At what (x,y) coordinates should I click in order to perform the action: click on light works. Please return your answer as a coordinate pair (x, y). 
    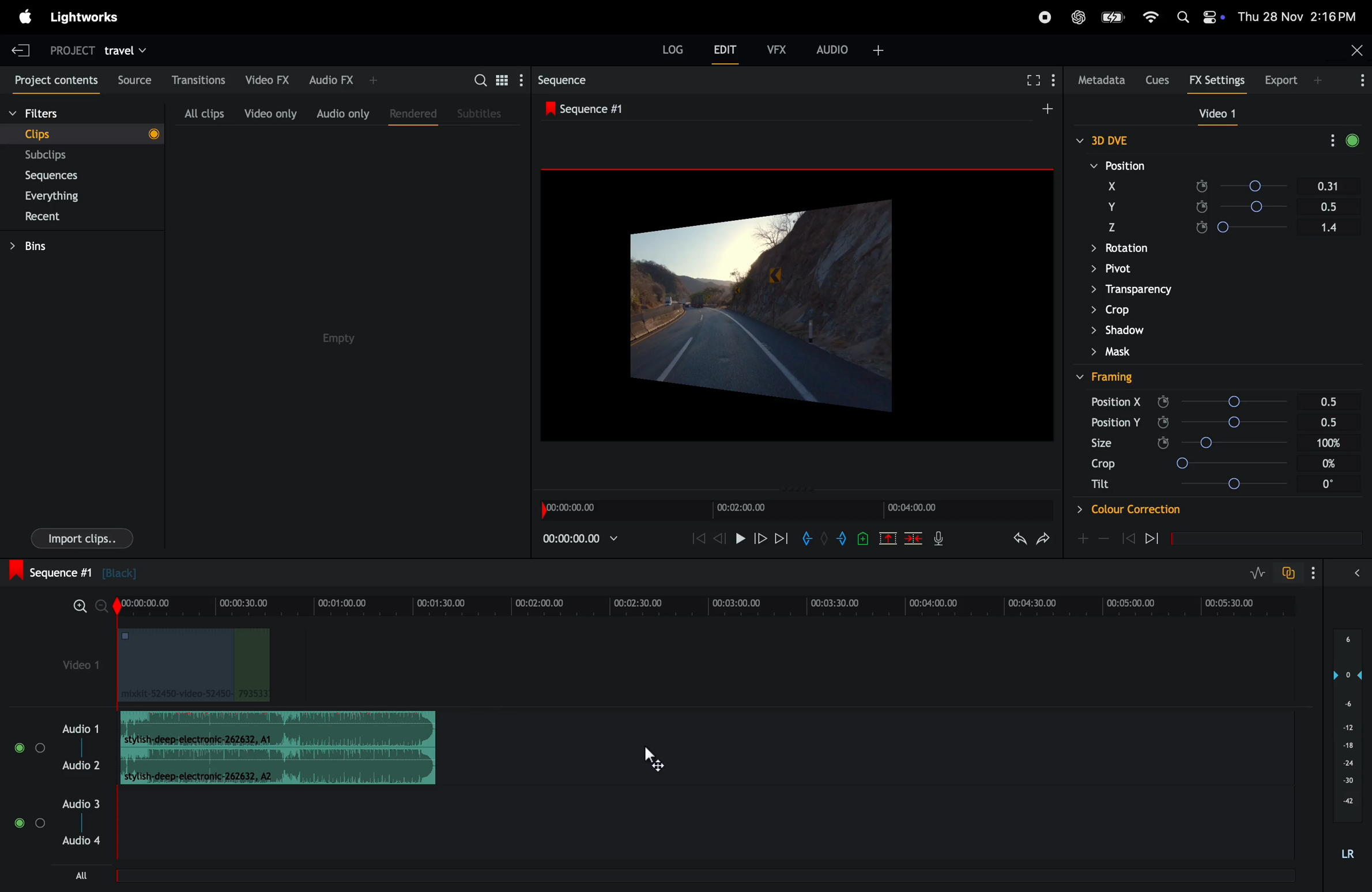
    Looking at the image, I should click on (91, 16).